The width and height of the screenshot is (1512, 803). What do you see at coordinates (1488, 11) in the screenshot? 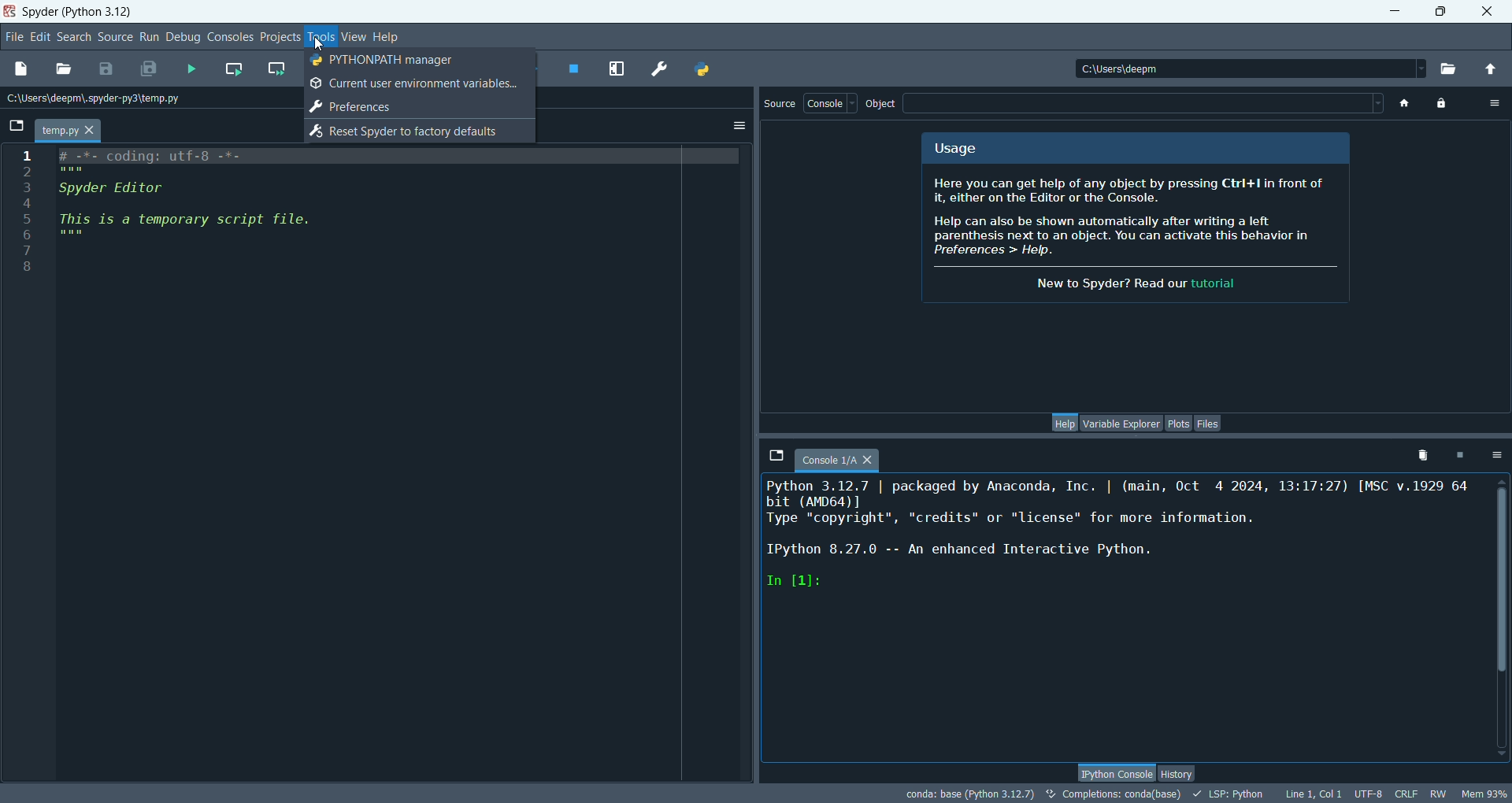
I see `close` at bounding box center [1488, 11].